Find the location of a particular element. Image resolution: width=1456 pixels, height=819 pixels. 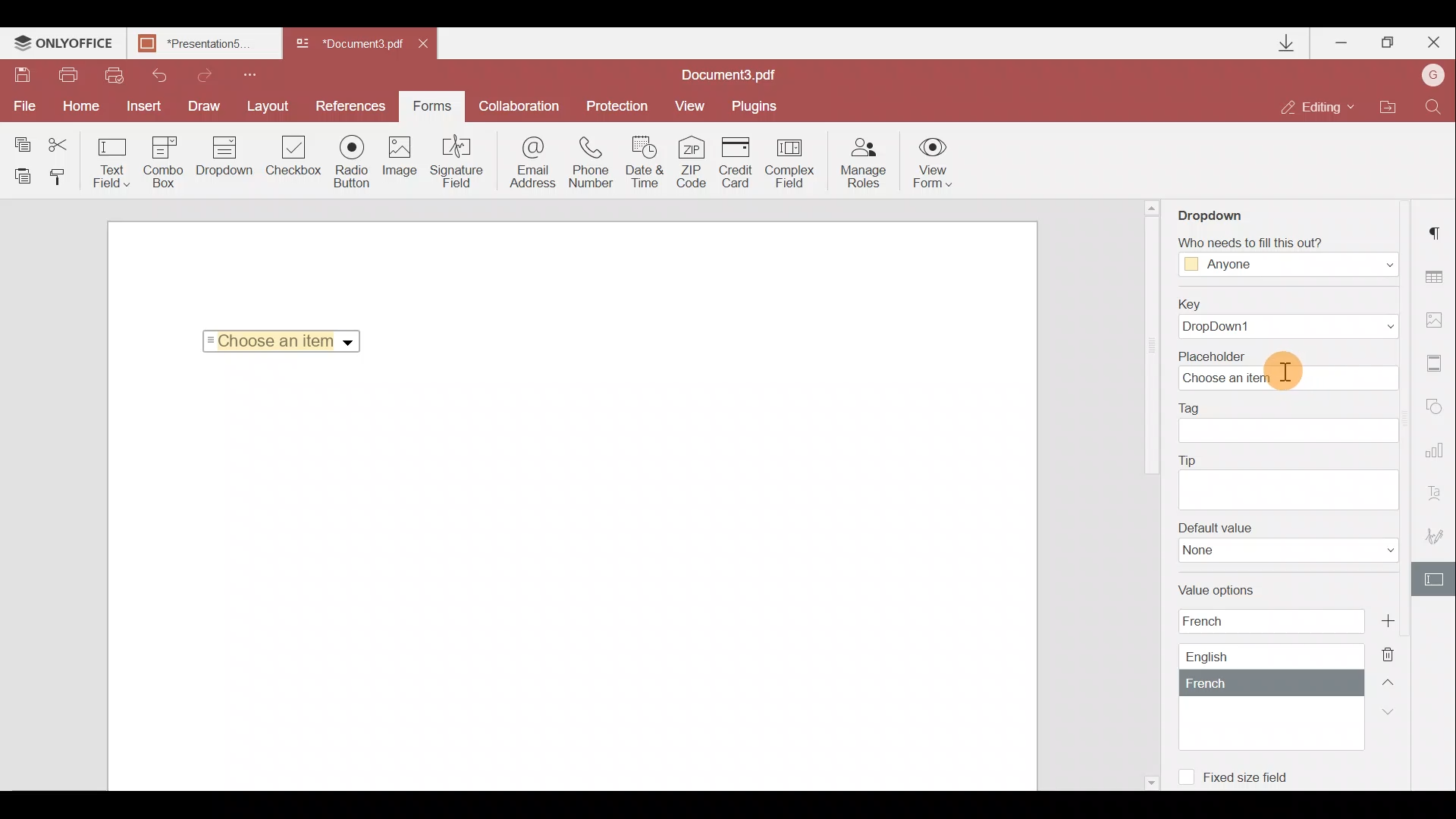

Who needs to fill this out? is located at coordinates (1288, 252).